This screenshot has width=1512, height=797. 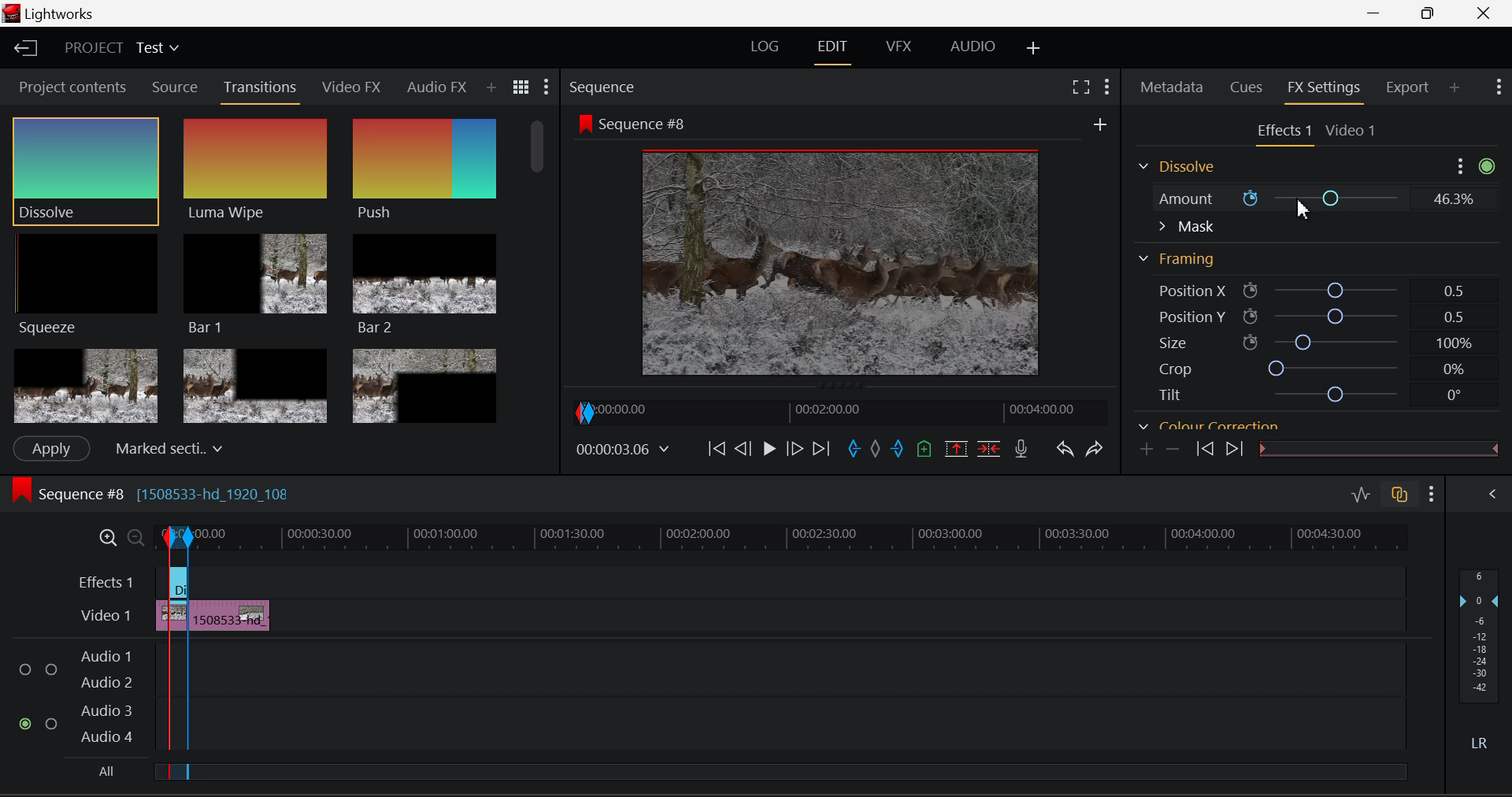 I want to click on Squeeze, so click(x=89, y=287).